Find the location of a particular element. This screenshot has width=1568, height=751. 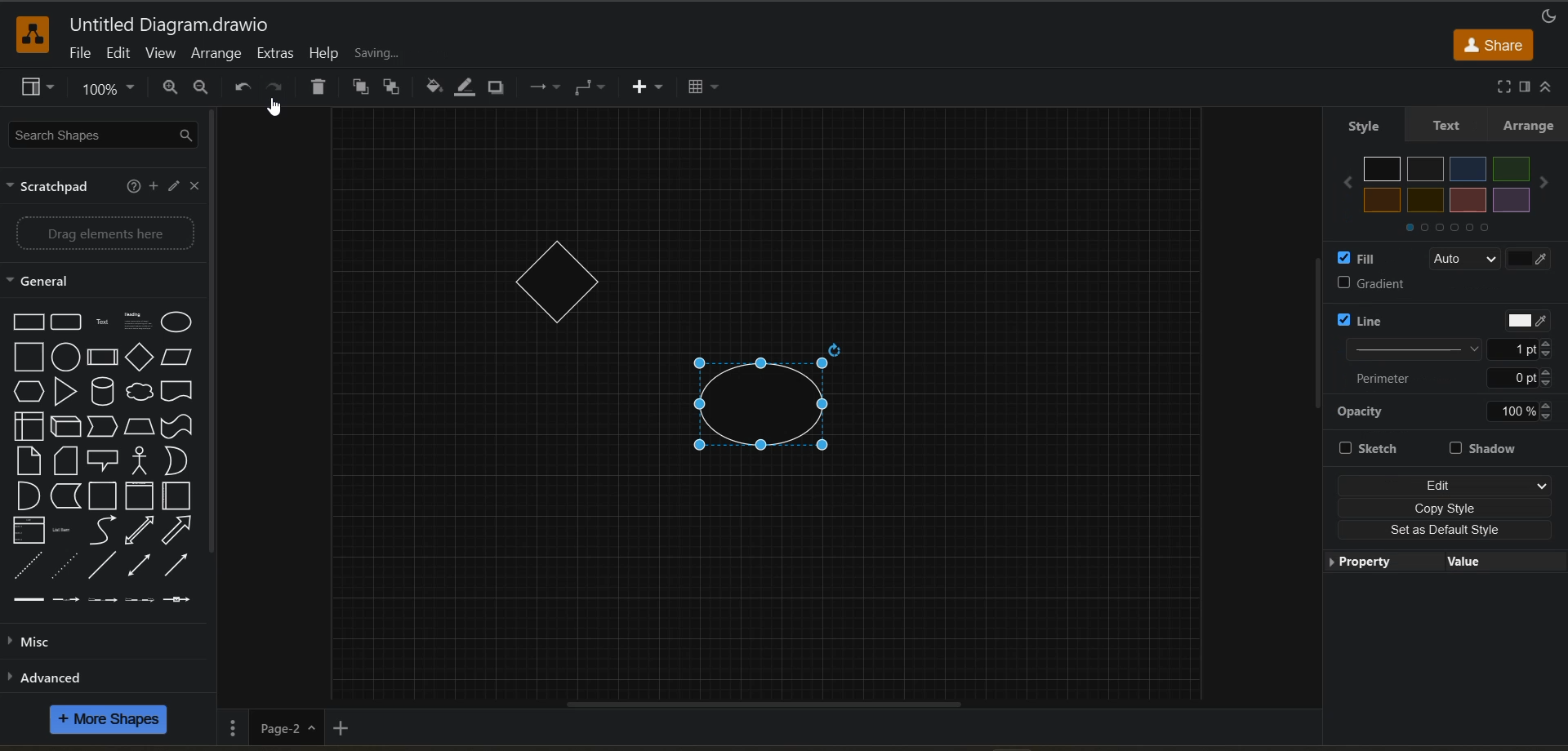

list item is located at coordinates (63, 528).